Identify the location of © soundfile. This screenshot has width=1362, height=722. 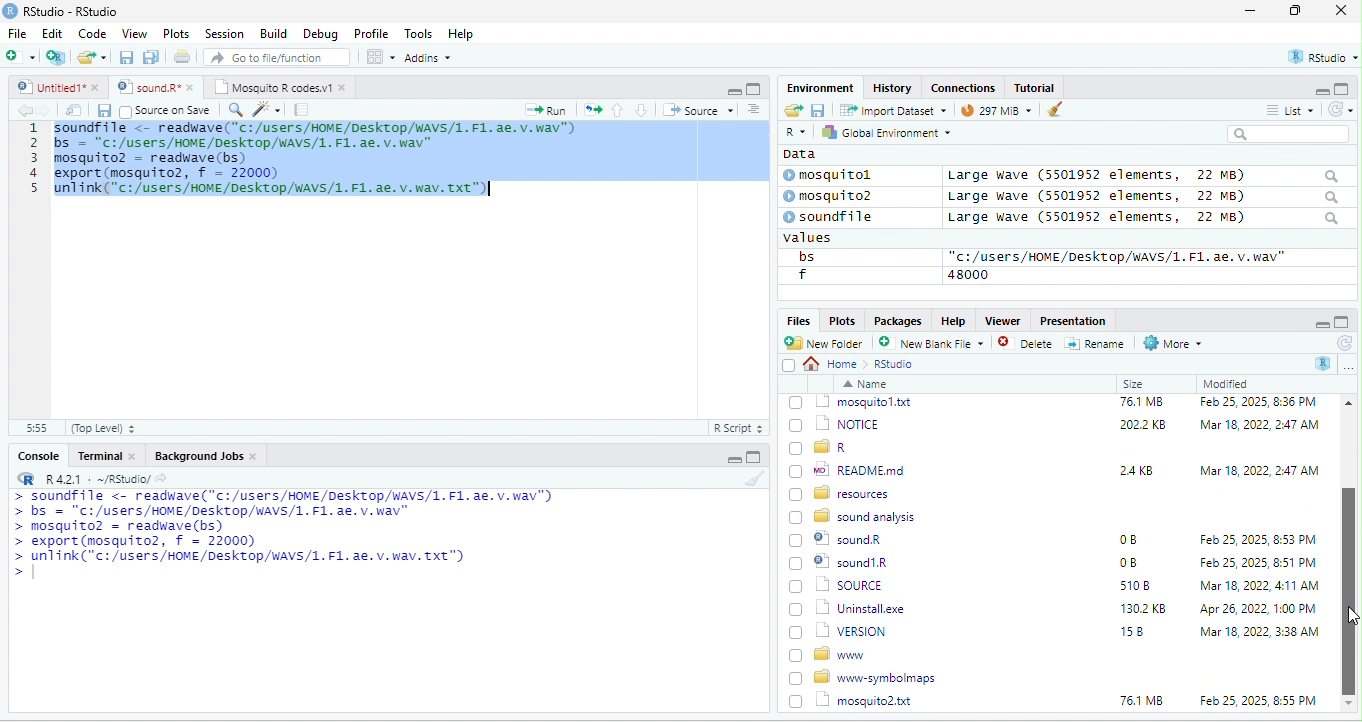
(837, 216).